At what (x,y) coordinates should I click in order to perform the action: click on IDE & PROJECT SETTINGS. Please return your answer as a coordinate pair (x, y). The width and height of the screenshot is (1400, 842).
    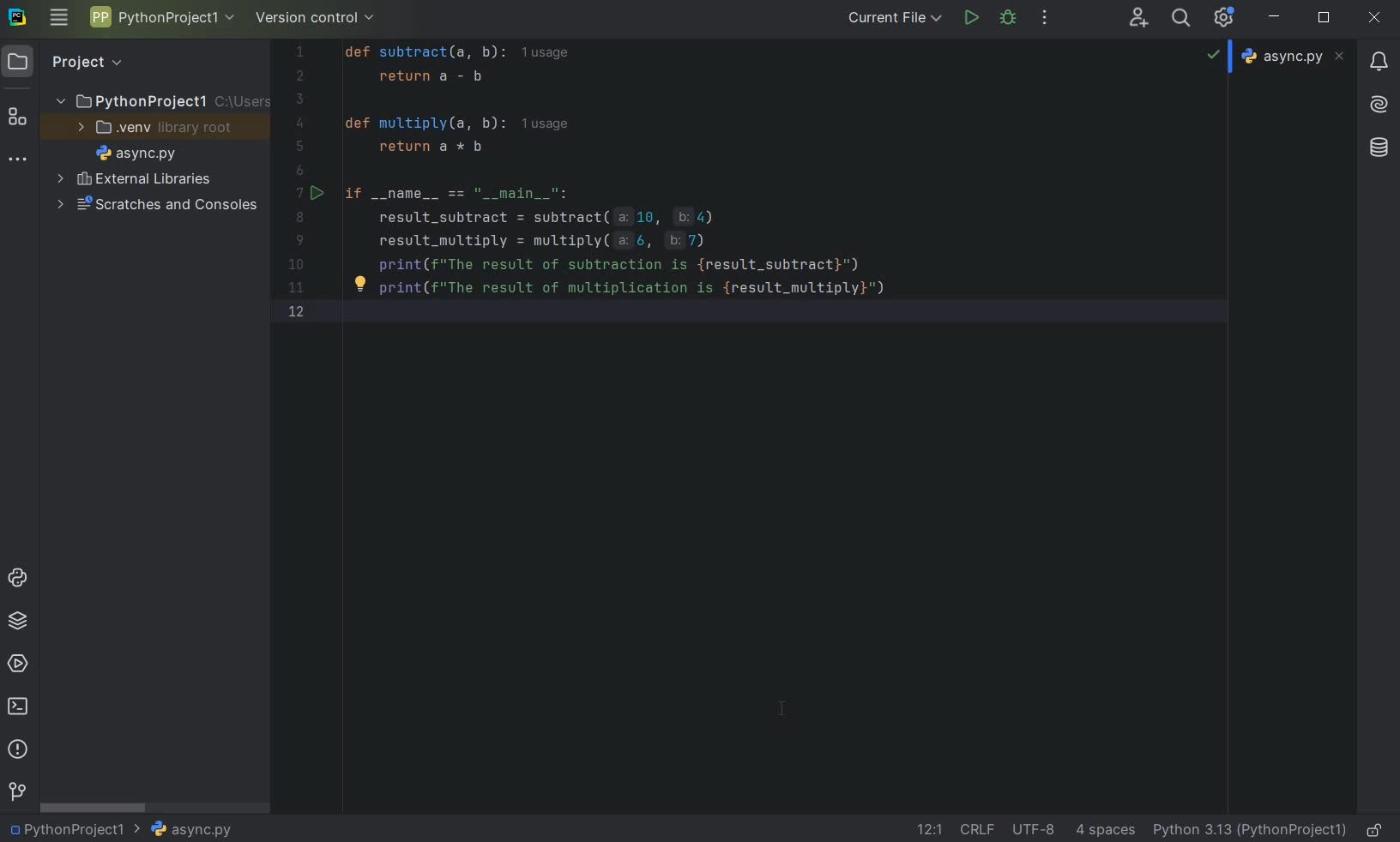
    Looking at the image, I should click on (1228, 19).